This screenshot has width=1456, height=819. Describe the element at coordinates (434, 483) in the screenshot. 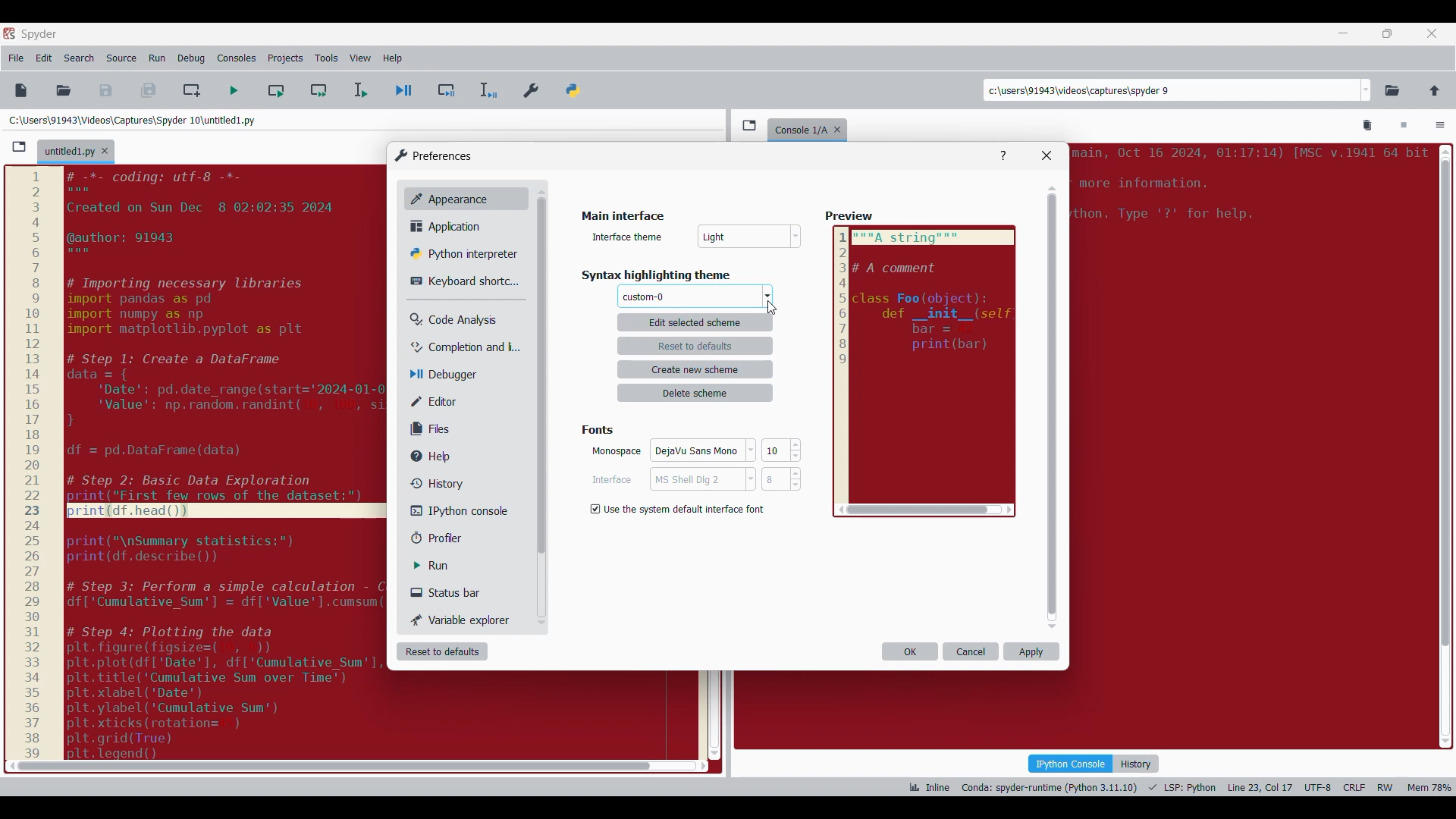

I see `History` at that location.